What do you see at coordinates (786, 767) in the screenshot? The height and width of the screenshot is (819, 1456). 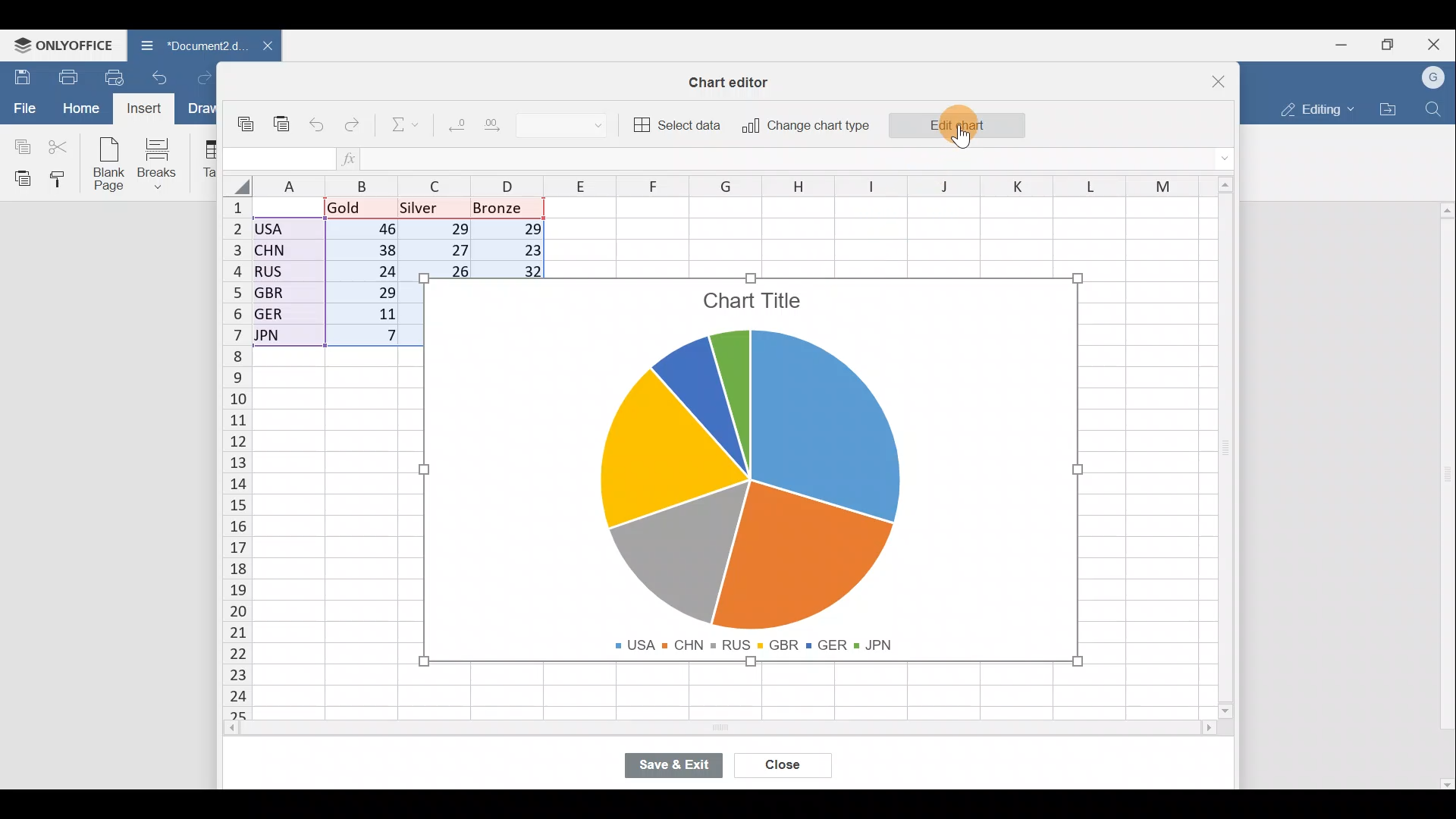 I see `Close` at bounding box center [786, 767].